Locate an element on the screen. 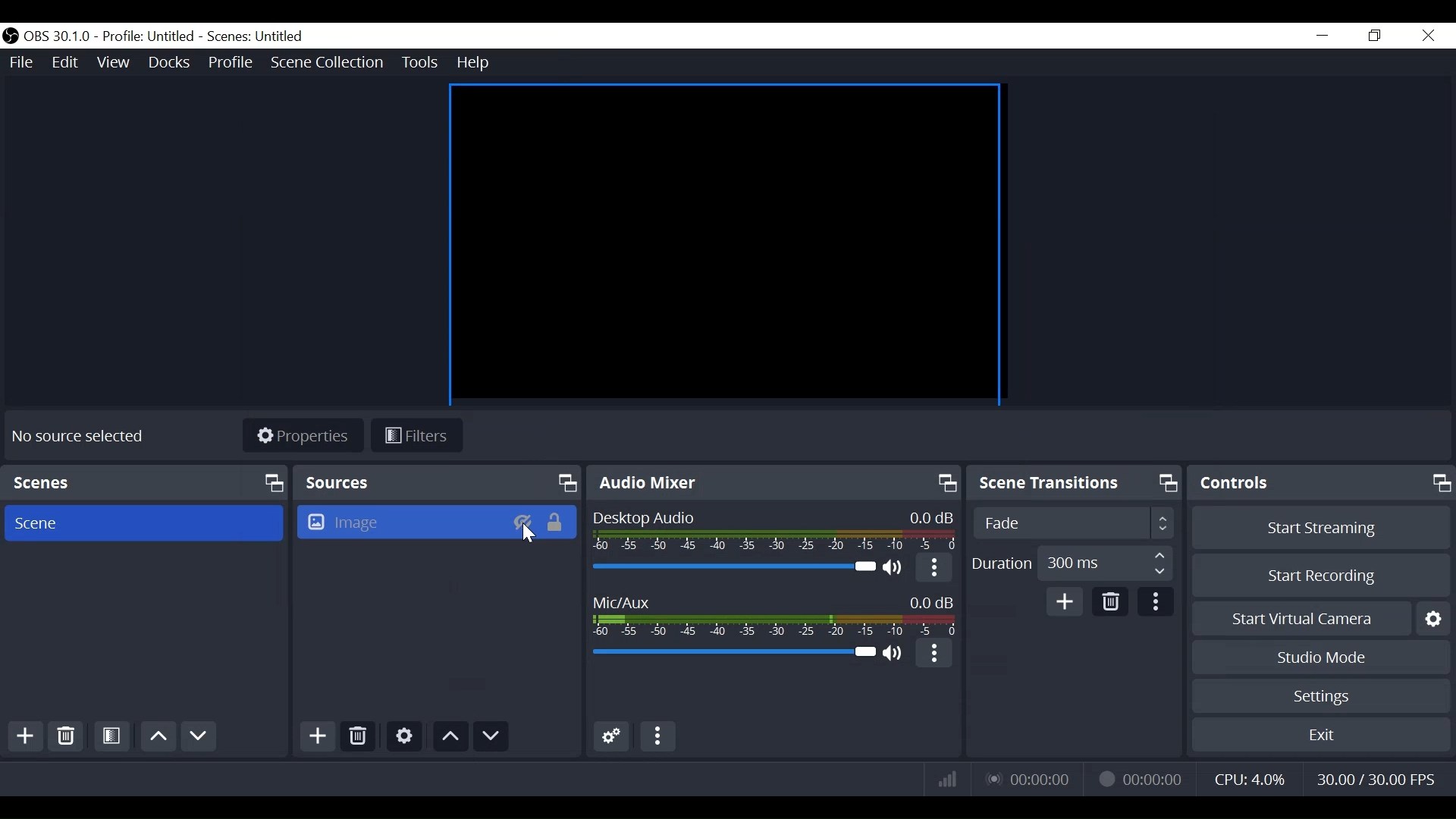  Delete is located at coordinates (1112, 600).